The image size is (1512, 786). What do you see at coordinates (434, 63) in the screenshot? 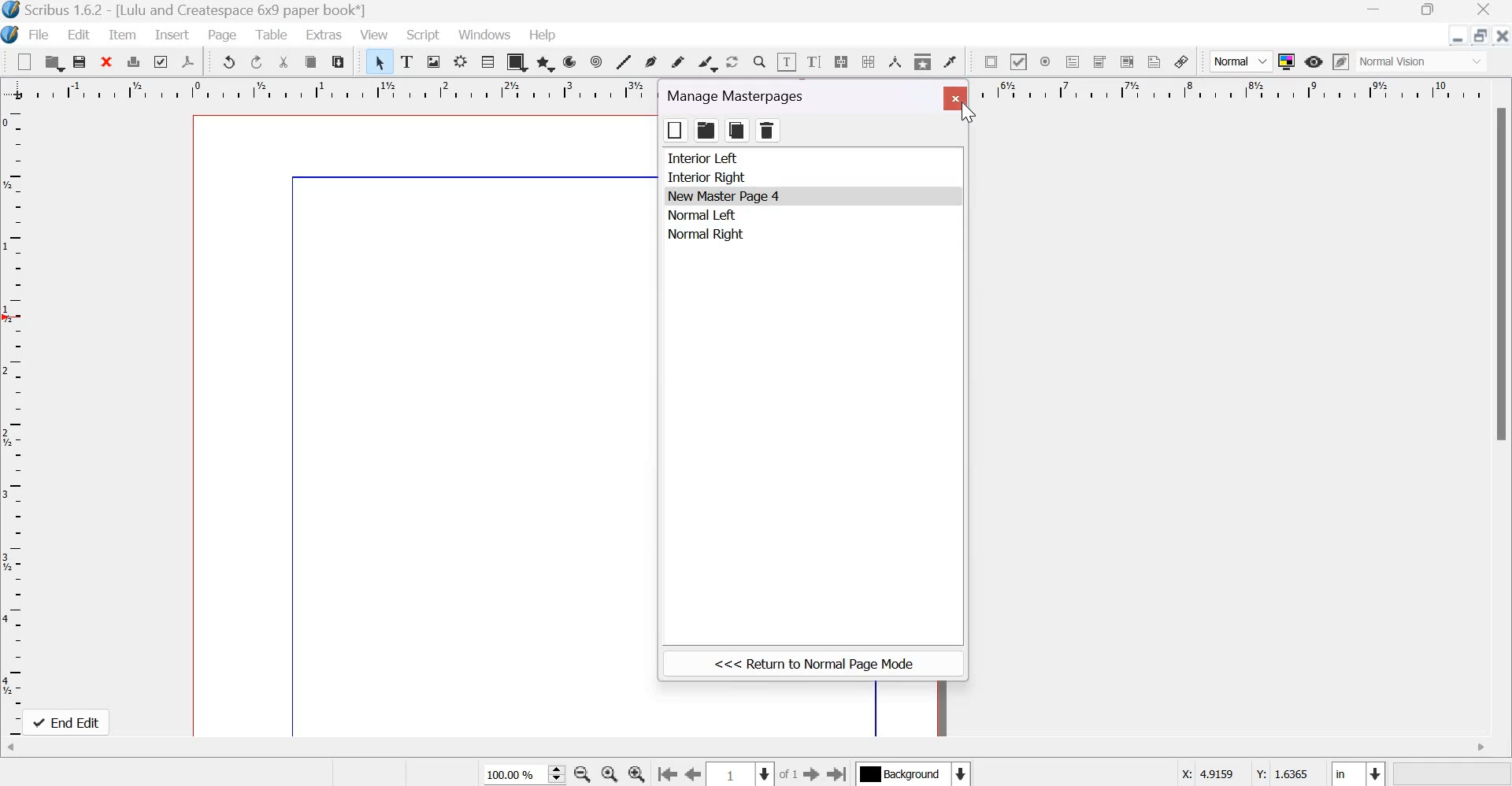
I see `Image frame` at bounding box center [434, 63].